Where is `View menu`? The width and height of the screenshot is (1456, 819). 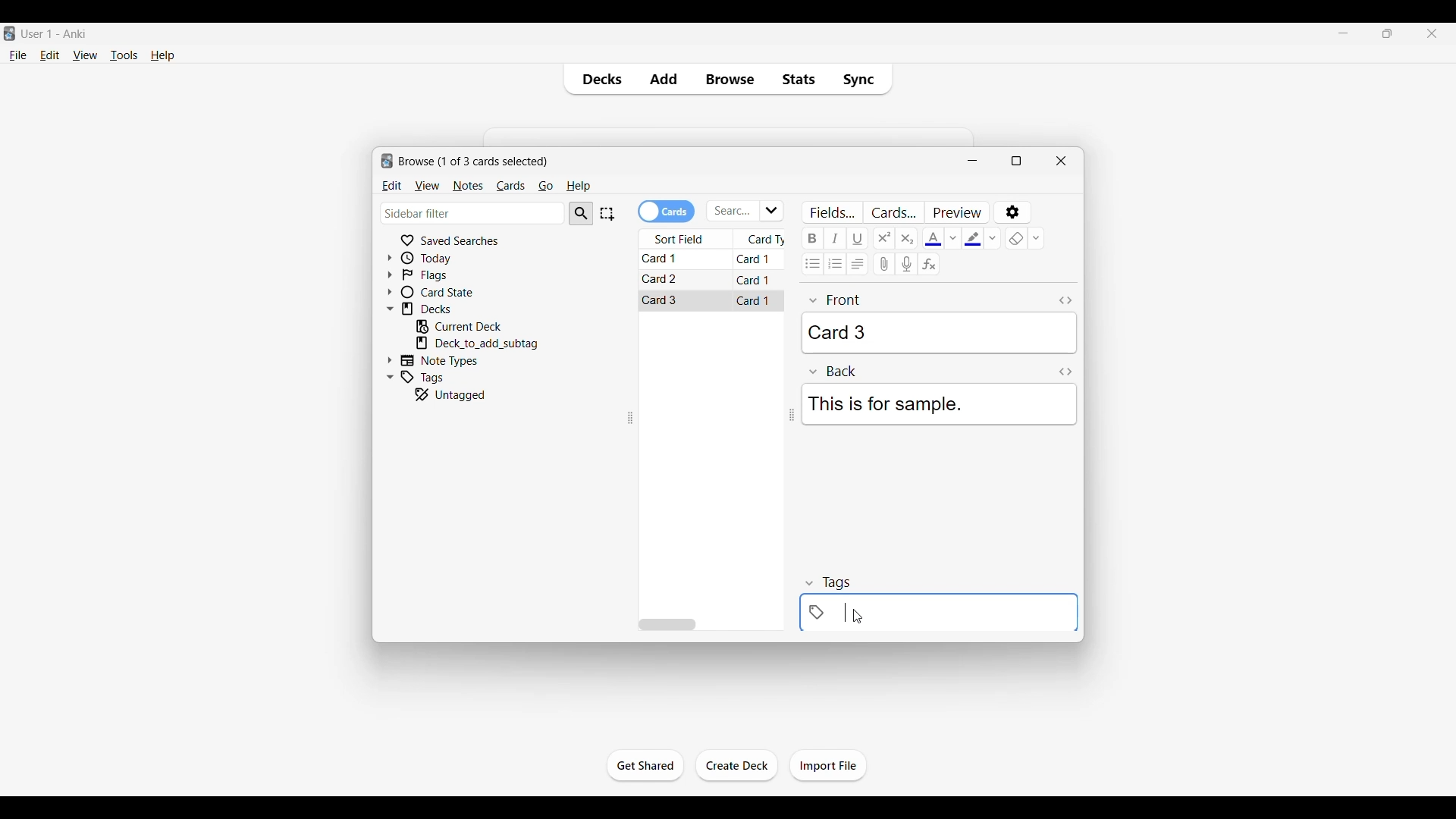
View menu is located at coordinates (427, 187).